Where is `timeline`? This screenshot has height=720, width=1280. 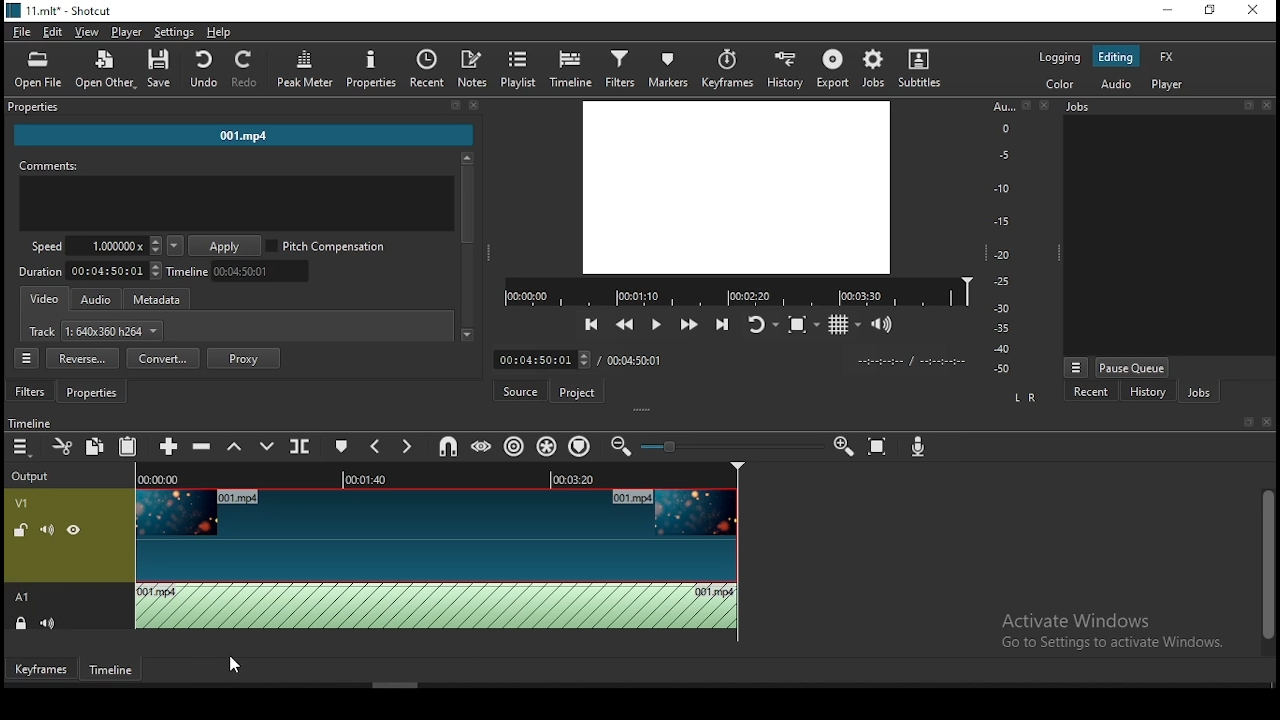 timeline is located at coordinates (735, 290).